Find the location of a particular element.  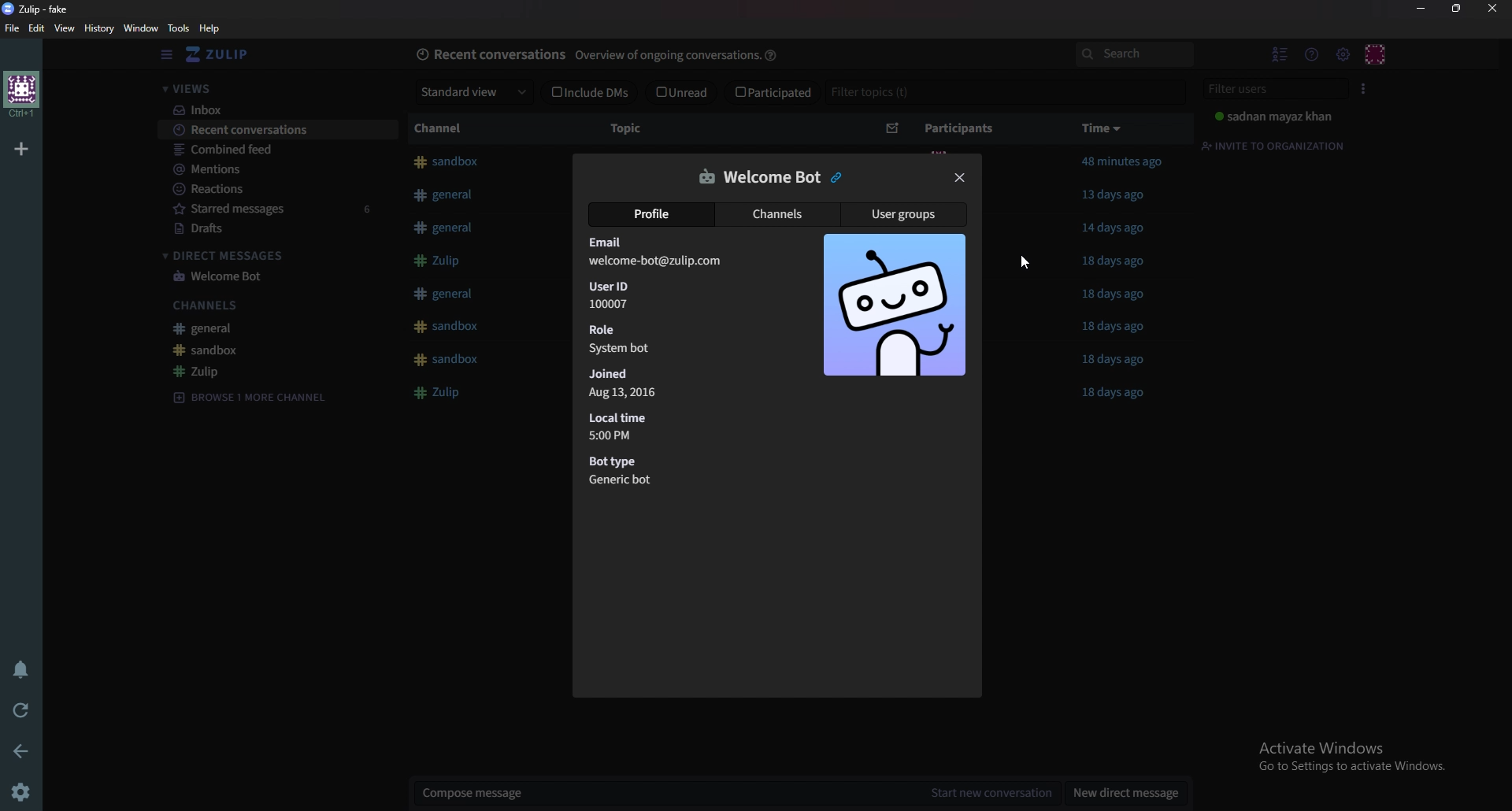

# Zulip is located at coordinates (441, 394).